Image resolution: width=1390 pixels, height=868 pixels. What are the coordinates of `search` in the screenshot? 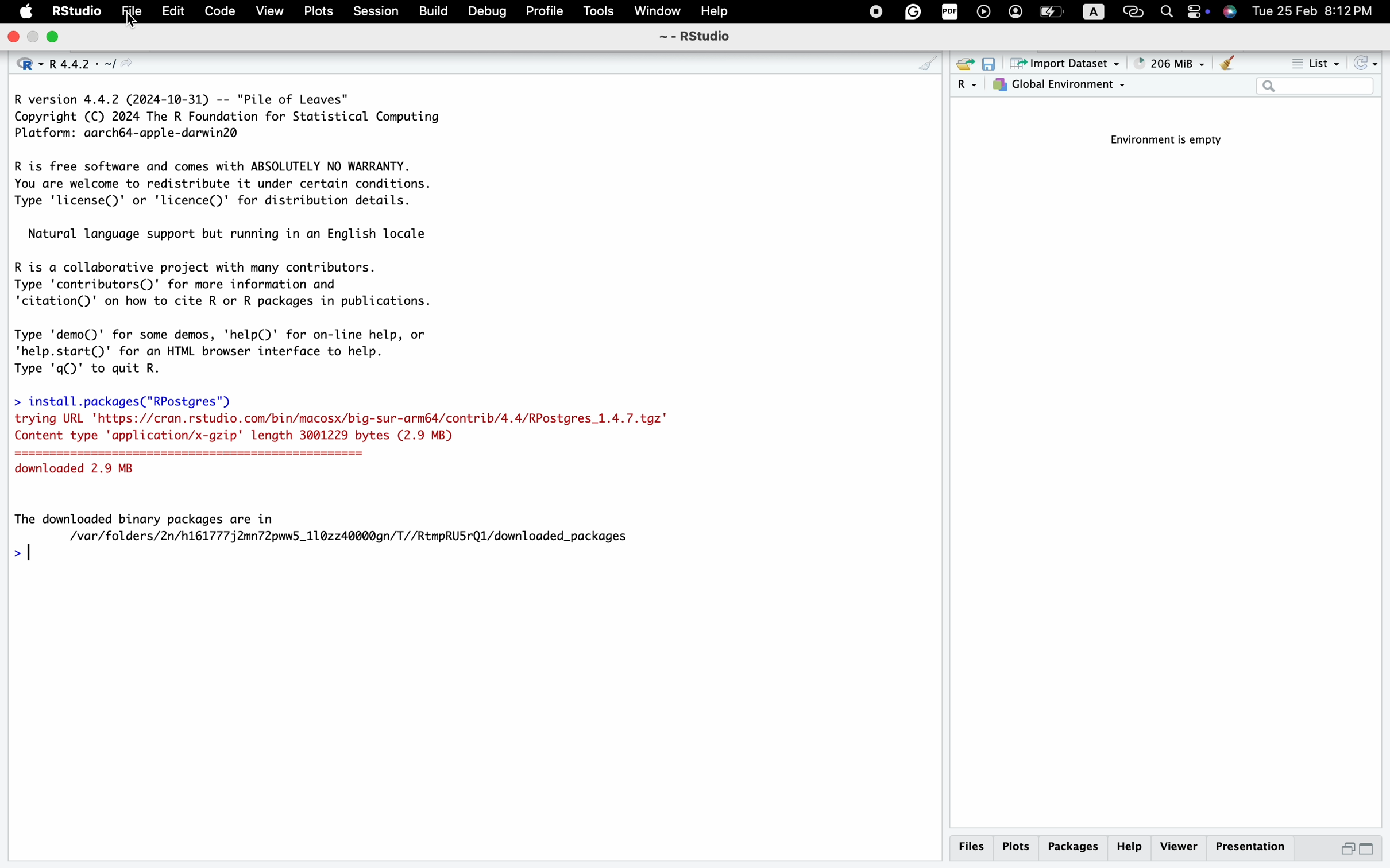 It's located at (1164, 10).